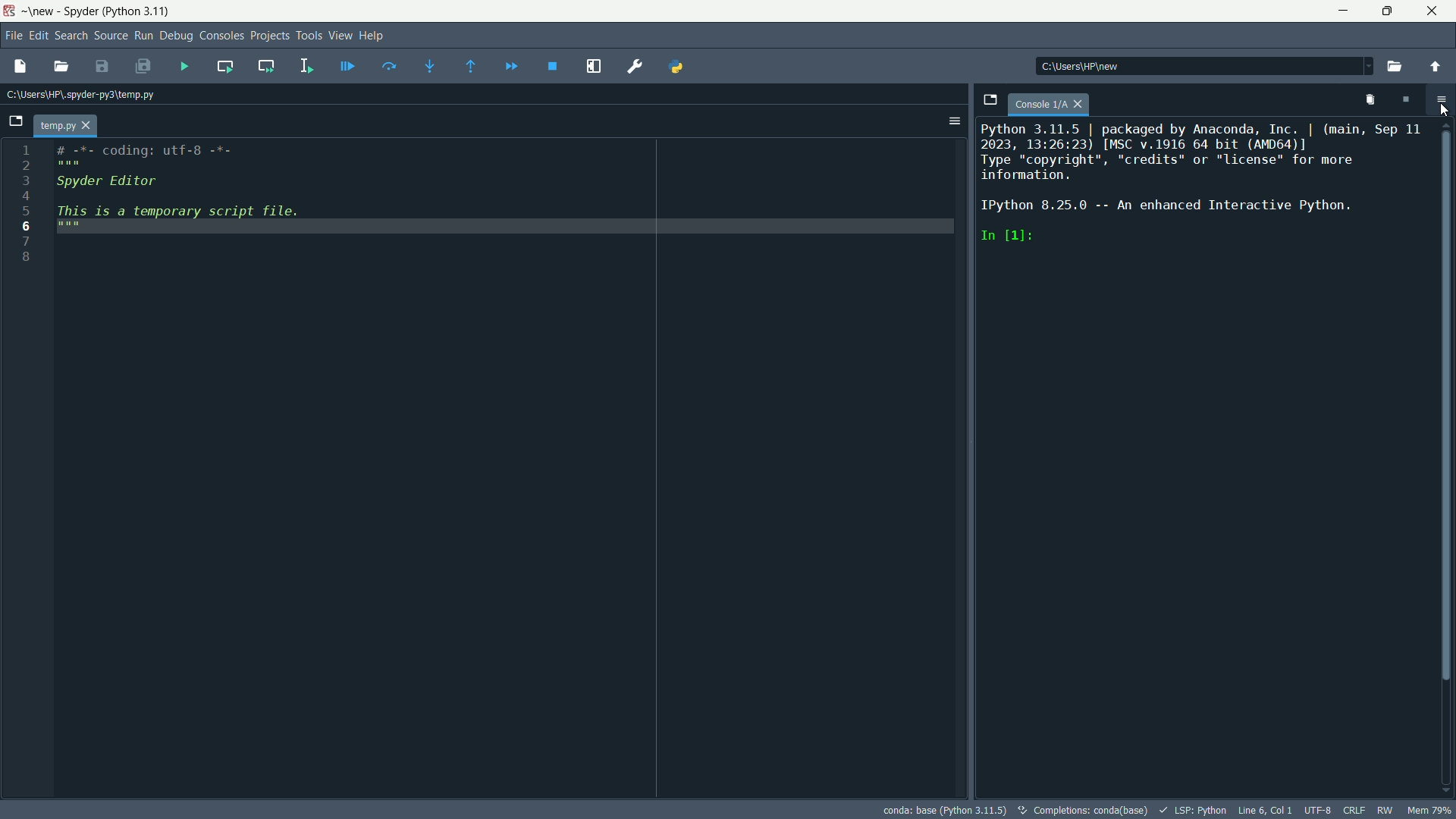 The width and height of the screenshot is (1456, 819). I want to click on Line 5, Col 1, so click(1265, 810).